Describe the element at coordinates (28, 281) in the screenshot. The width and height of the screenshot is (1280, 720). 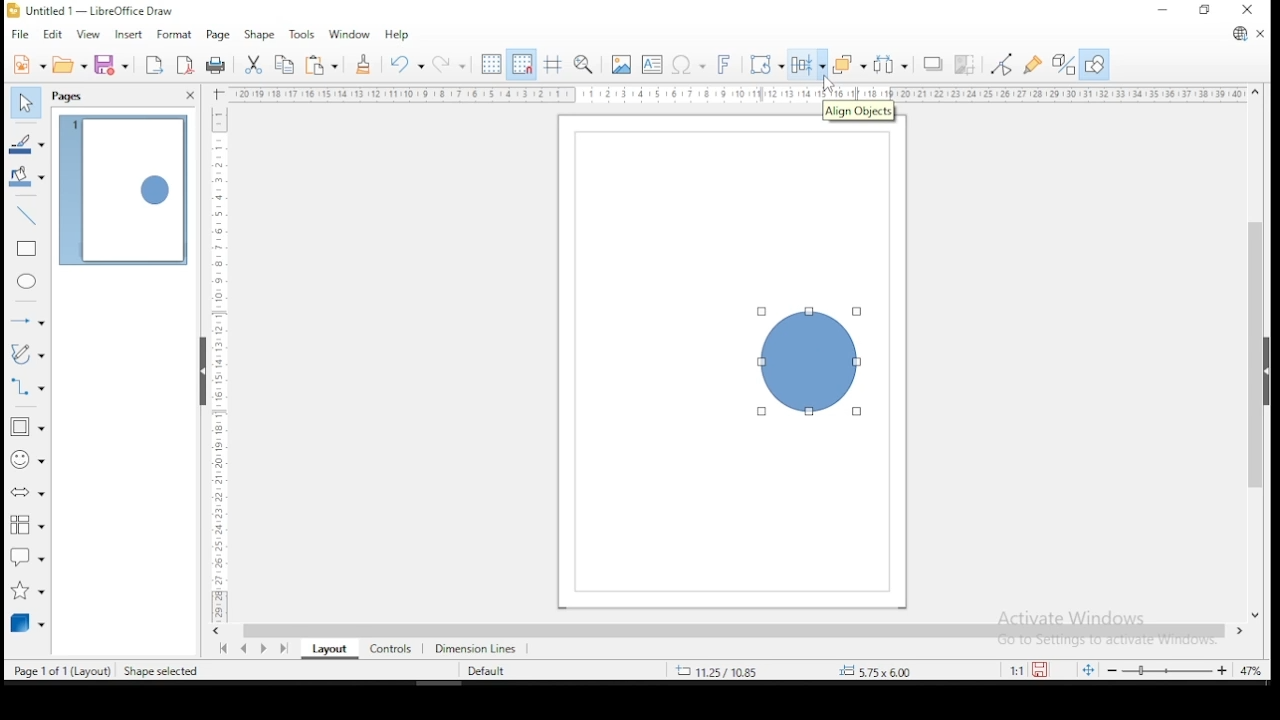
I see `ellipse` at that location.